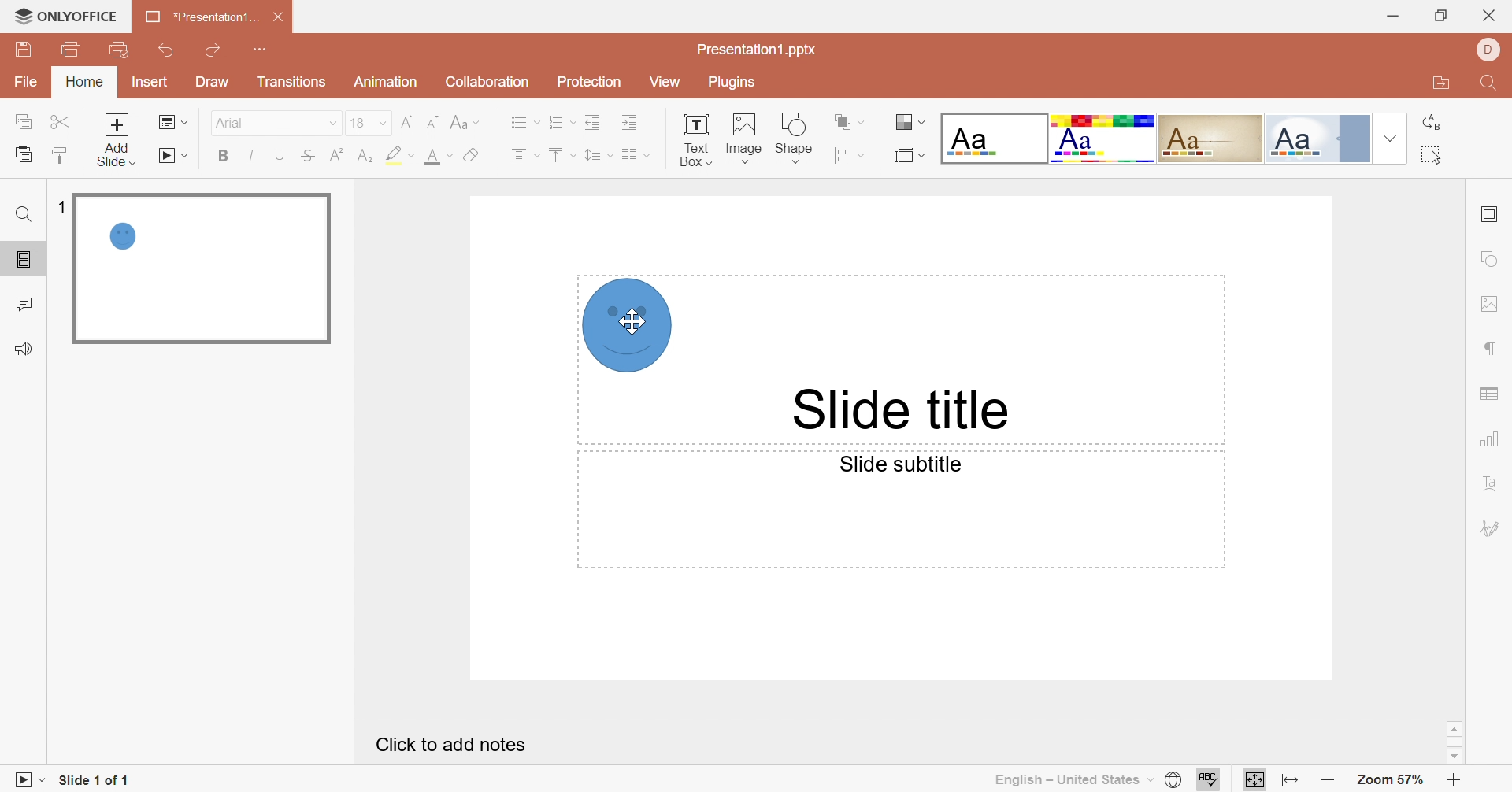 This screenshot has height=792, width=1512. What do you see at coordinates (403, 121) in the screenshot?
I see `Increment font size` at bounding box center [403, 121].